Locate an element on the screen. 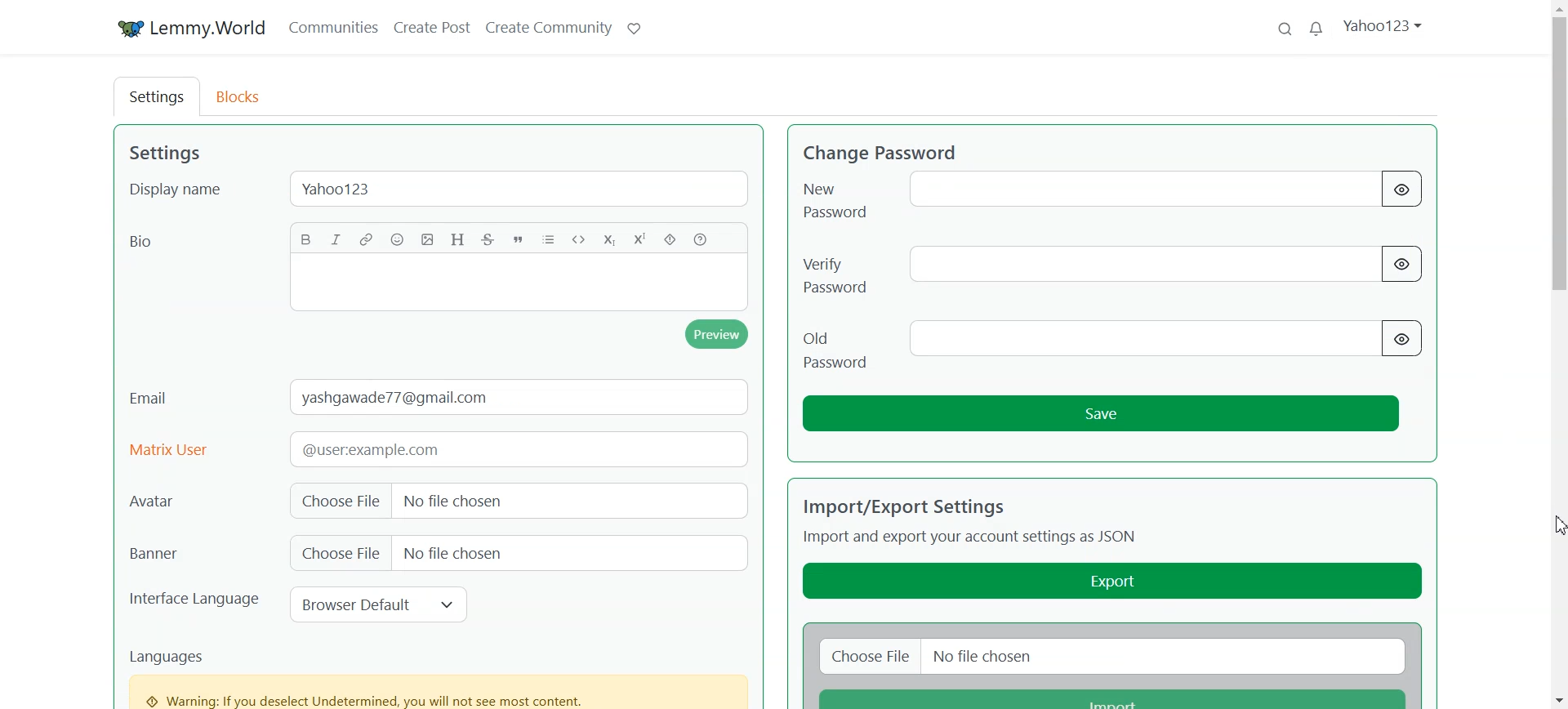  Code is located at coordinates (579, 238).